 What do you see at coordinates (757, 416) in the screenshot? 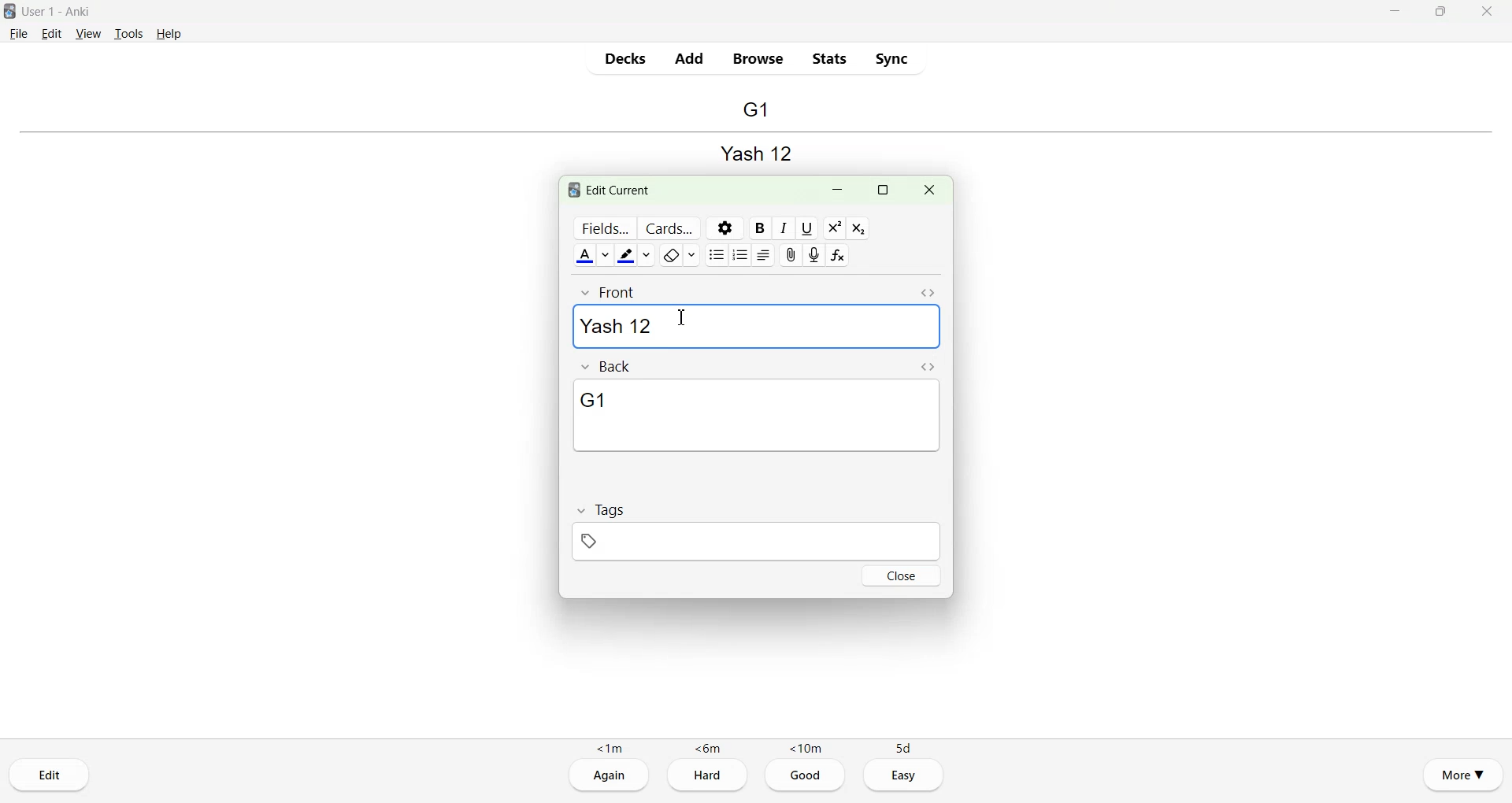
I see `G1` at bounding box center [757, 416].